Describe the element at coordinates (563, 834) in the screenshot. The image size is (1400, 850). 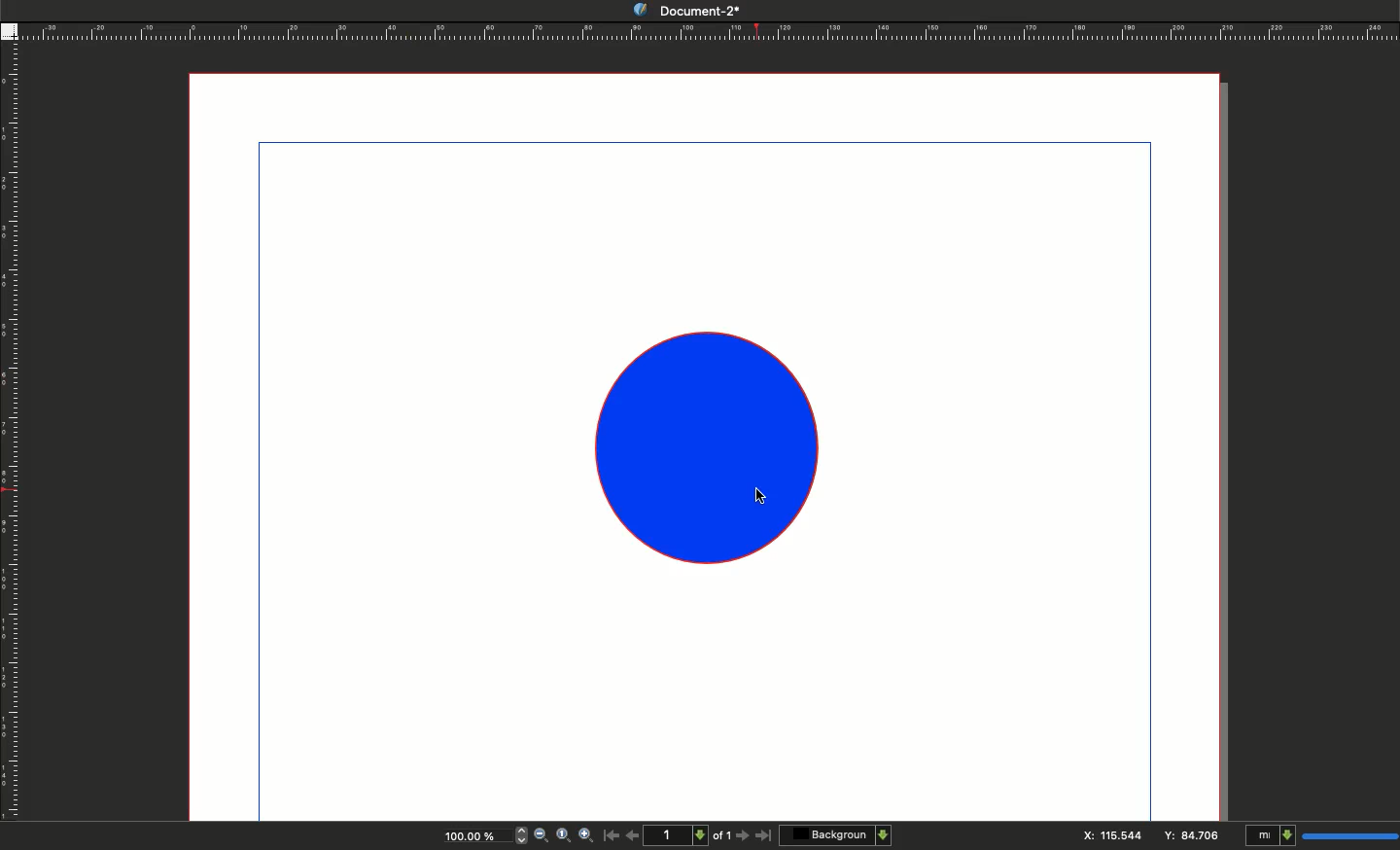
I see `Zoom to` at that location.